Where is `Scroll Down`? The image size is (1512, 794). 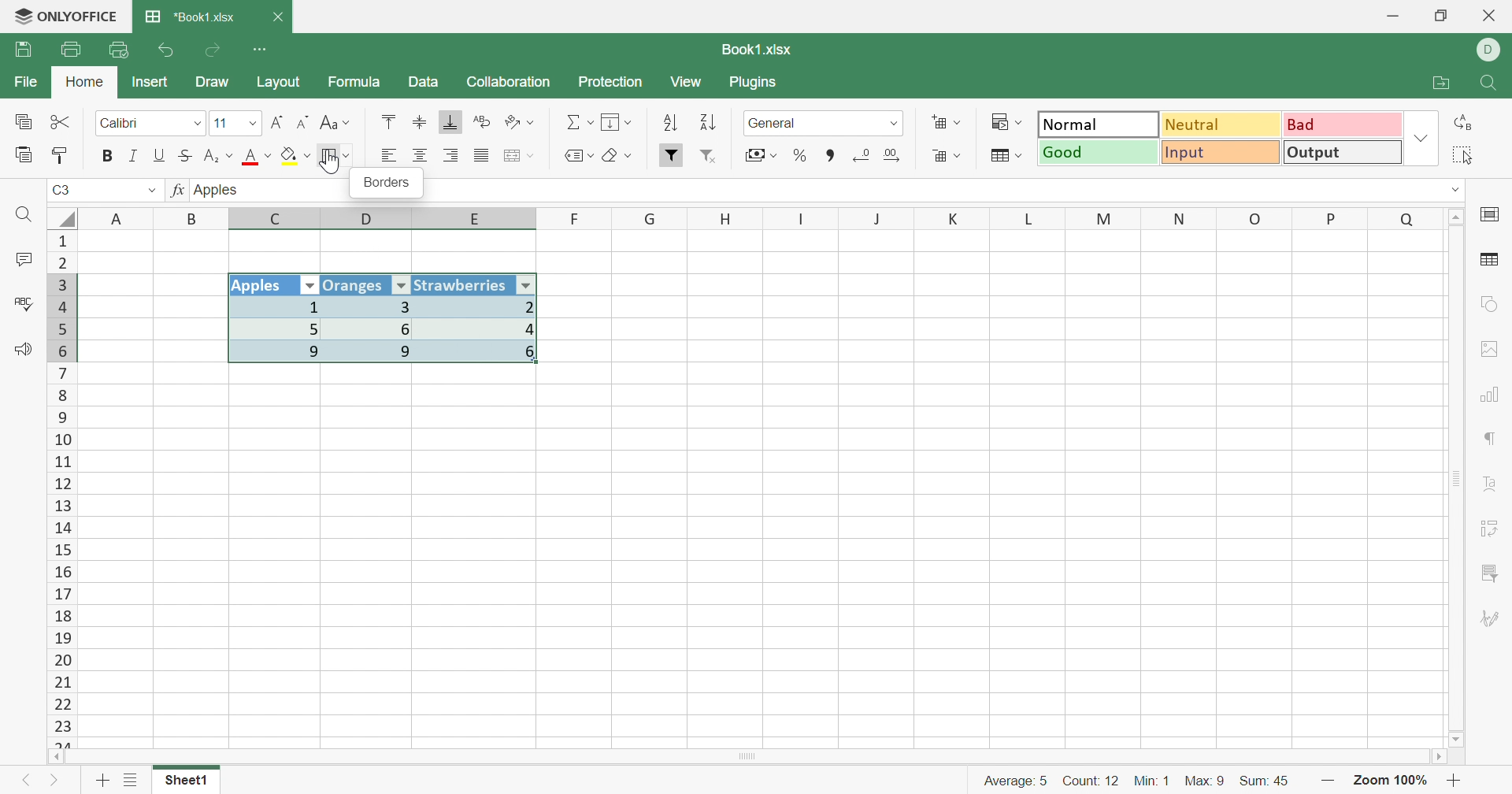
Scroll Down is located at coordinates (1458, 738).